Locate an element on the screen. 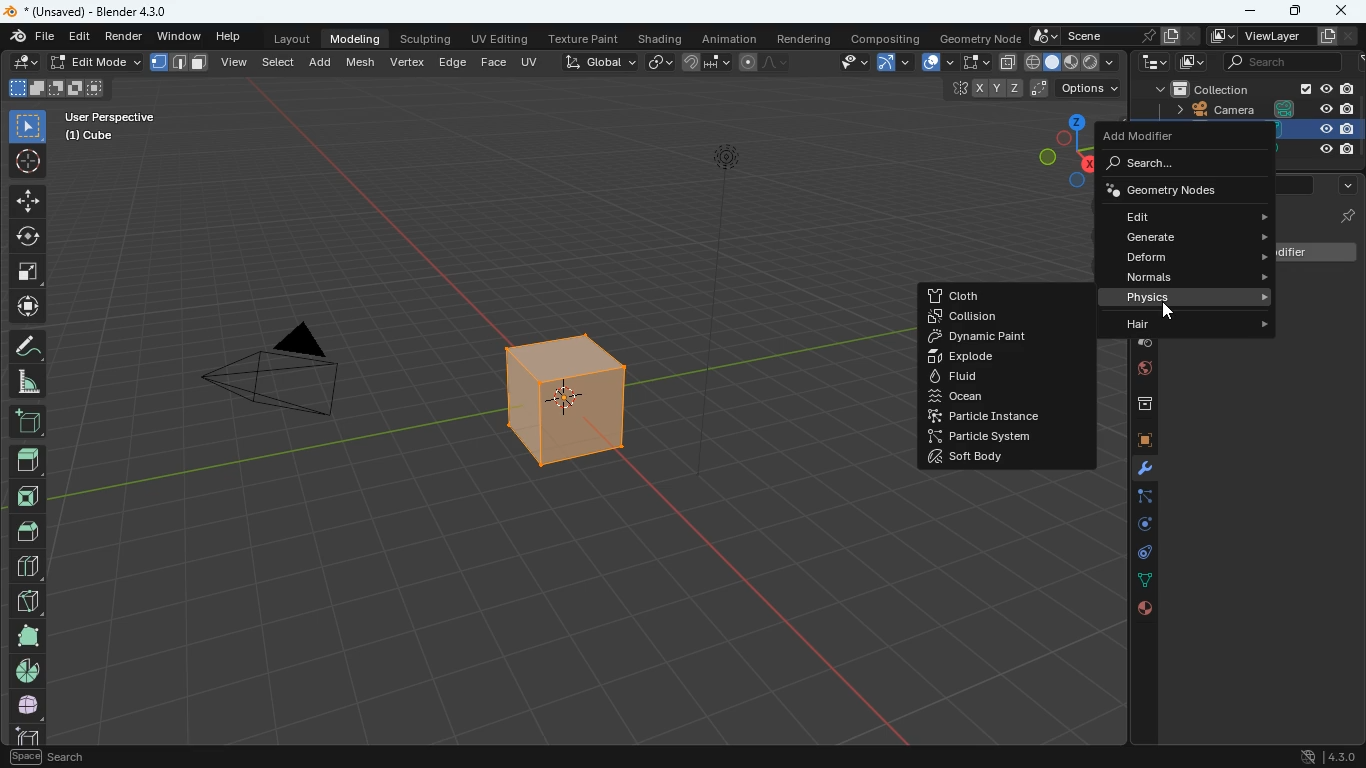 This screenshot has height=768, width=1366. drop is located at coordinates (1136, 342).